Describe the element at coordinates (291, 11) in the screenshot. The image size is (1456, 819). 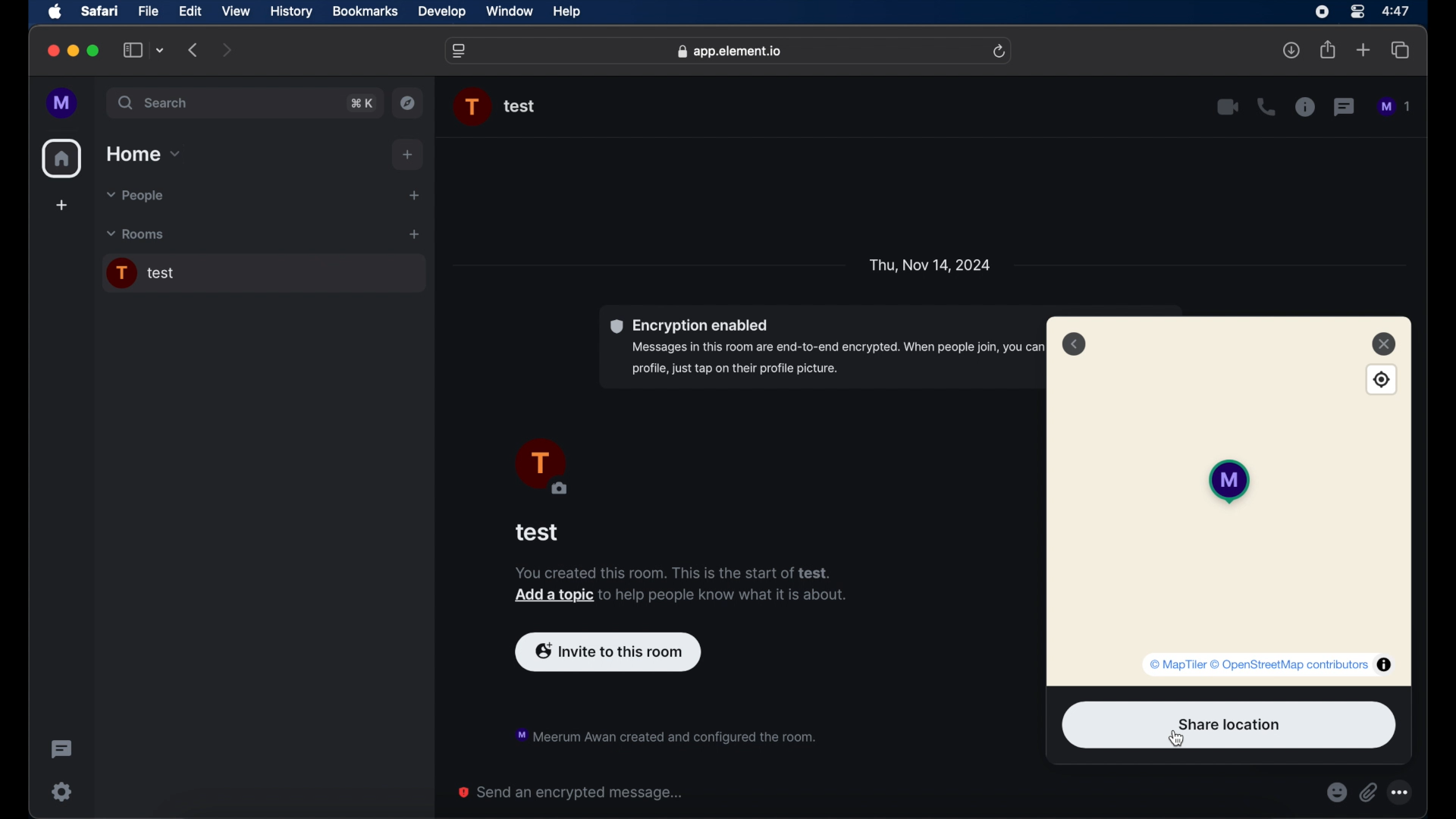
I see `history` at that location.